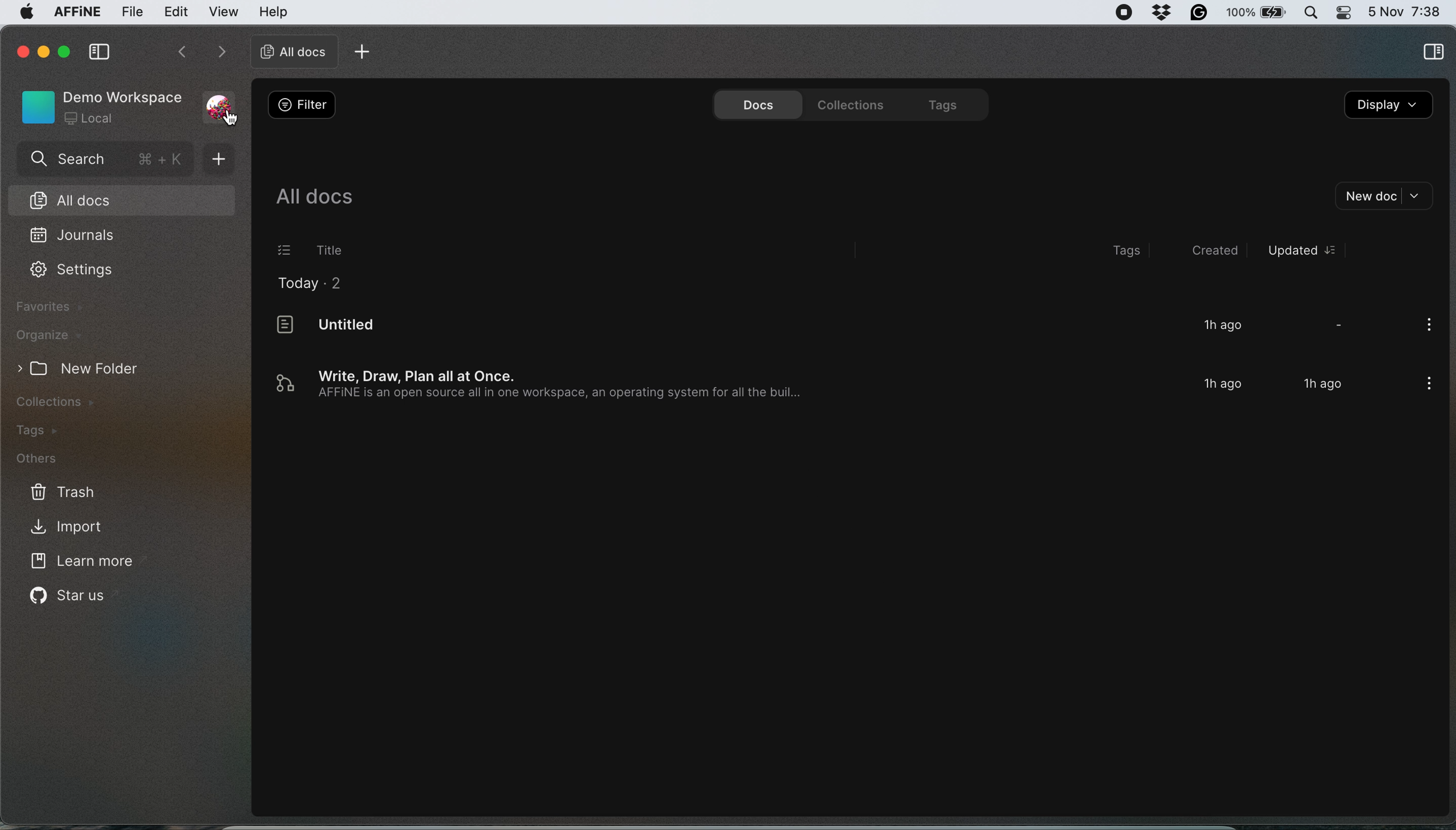 The width and height of the screenshot is (1456, 830). What do you see at coordinates (290, 51) in the screenshot?
I see `all docs` at bounding box center [290, 51].